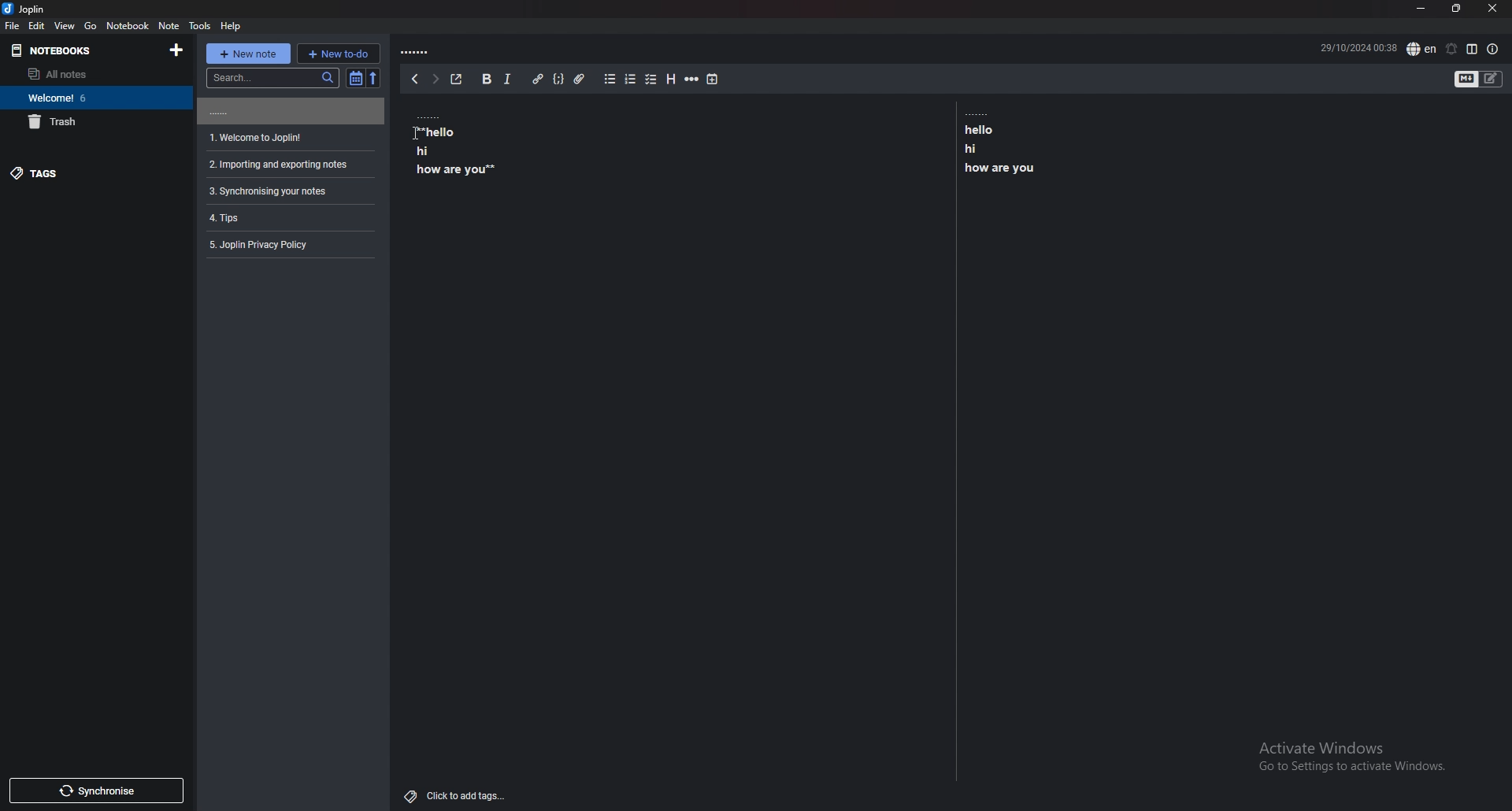 Image resolution: width=1512 pixels, height=811 pixels. What do you see at coordinates (457, 150) in the screenshot?
I see `bold text` at bounding box center [457, 150].